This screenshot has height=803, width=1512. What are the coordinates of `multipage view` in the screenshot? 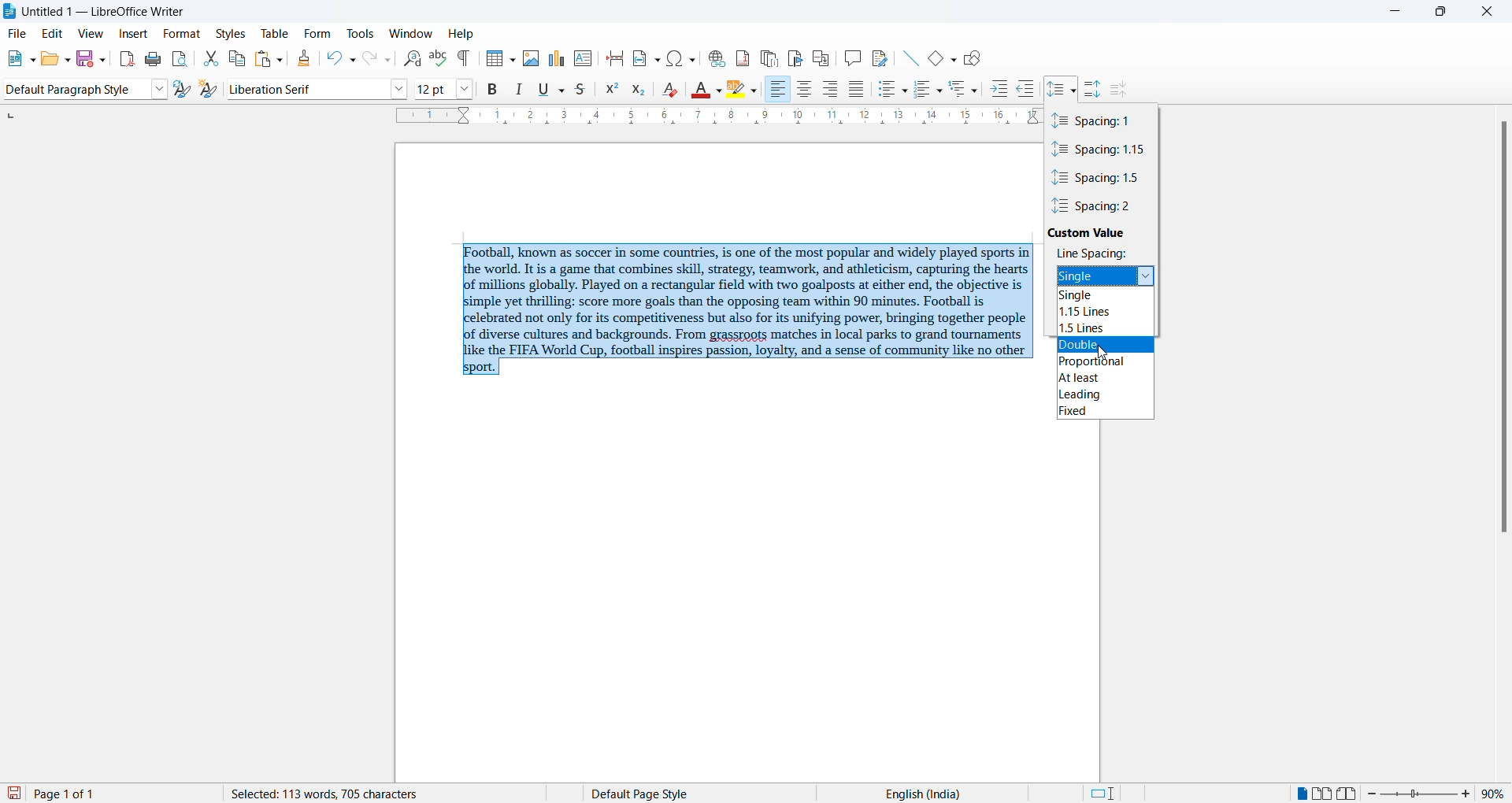 It's located at (1325, 795).